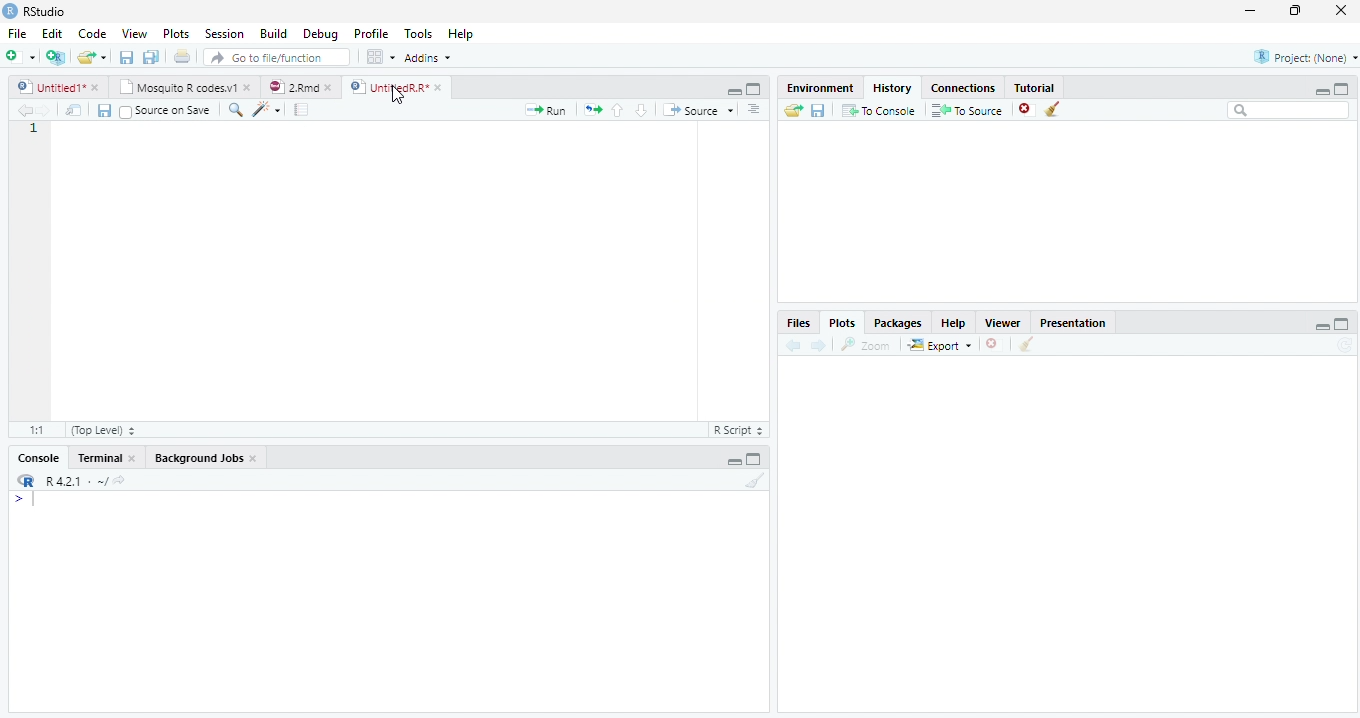  I want to click on Code , so click(269, 110).